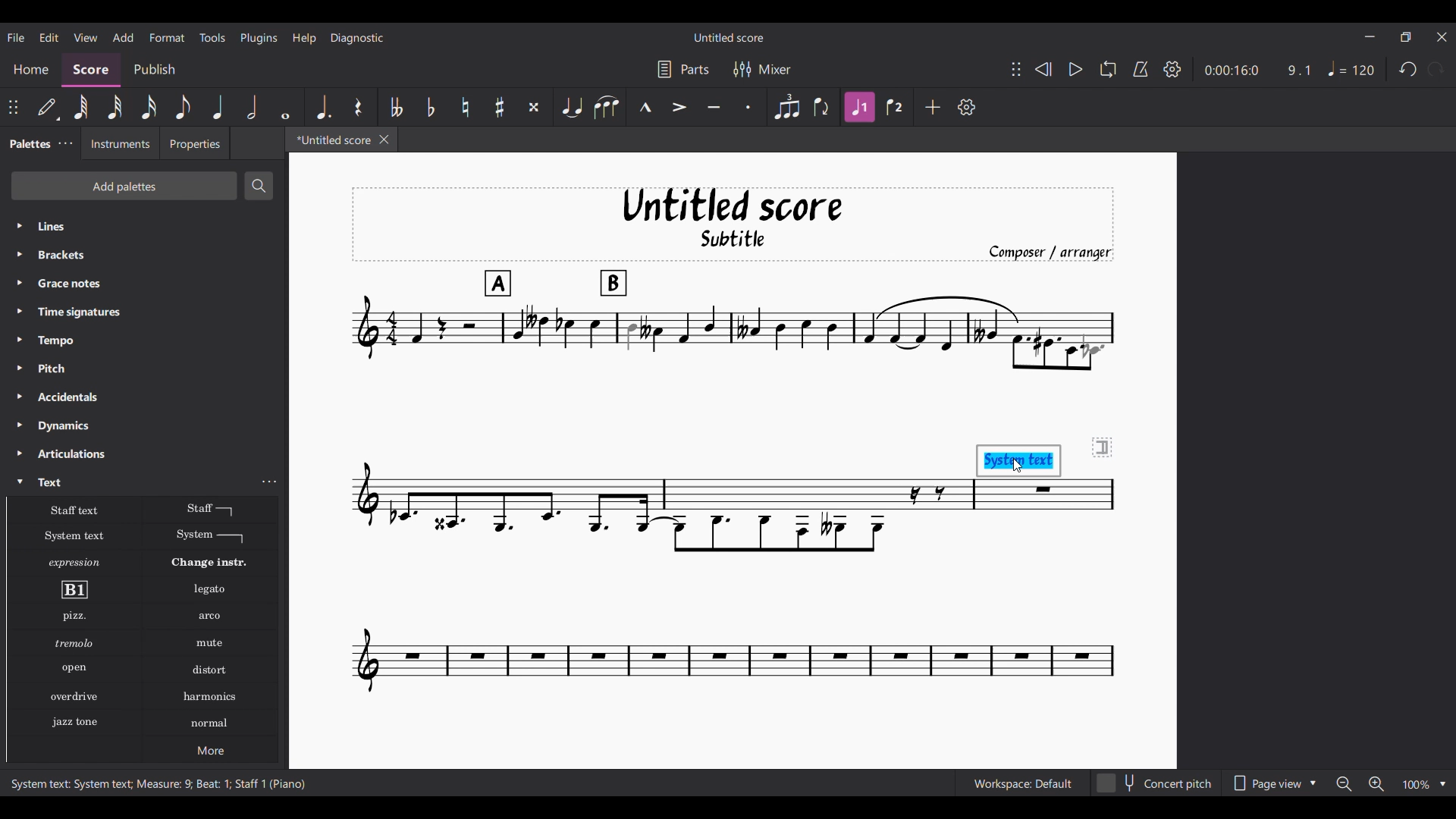  What do you see at coordinates (209, 697) in the screenshot?
I see `Harmonics` at bounding box center [209, 697].